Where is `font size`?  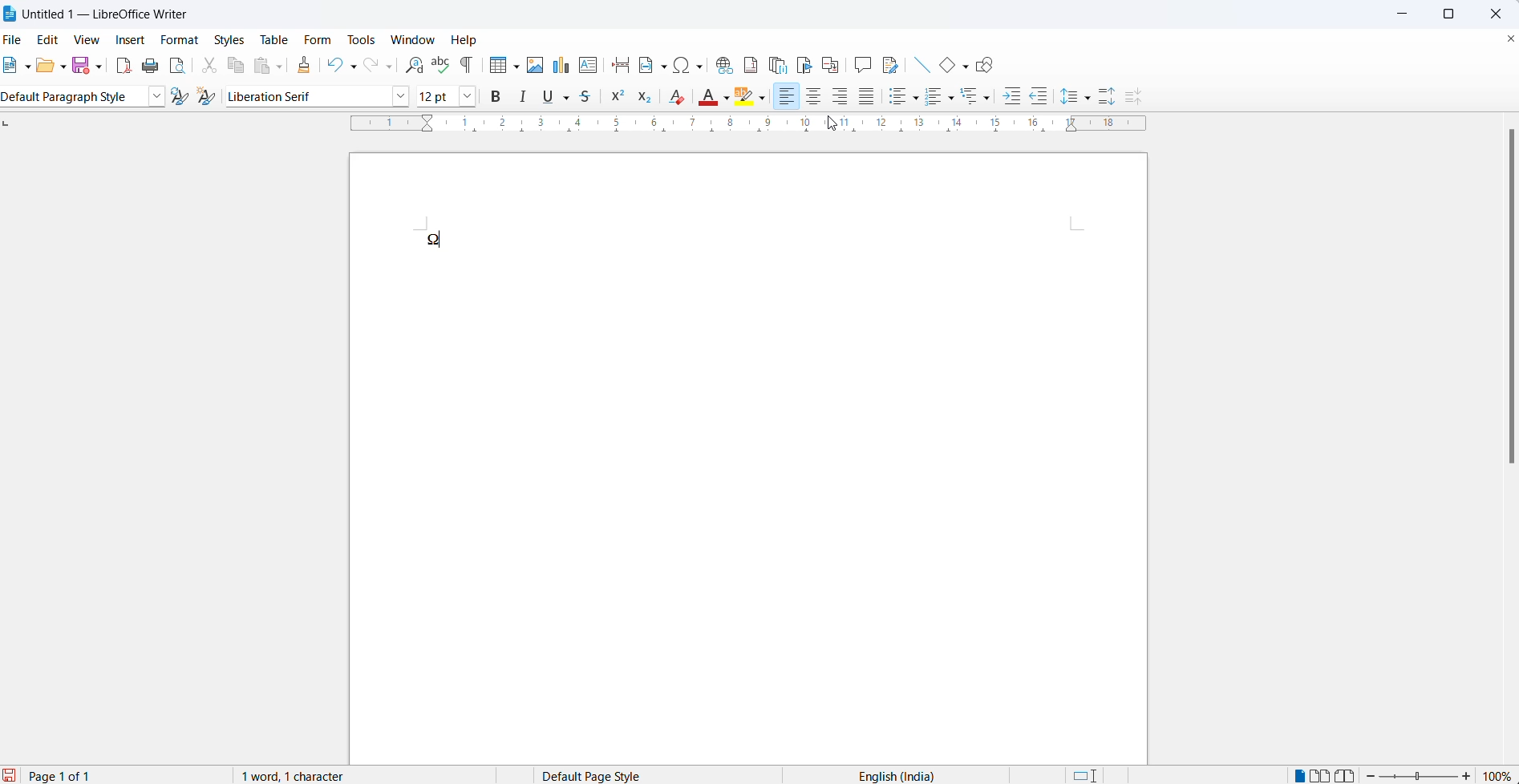 font size is located at coordinates (436, 95).